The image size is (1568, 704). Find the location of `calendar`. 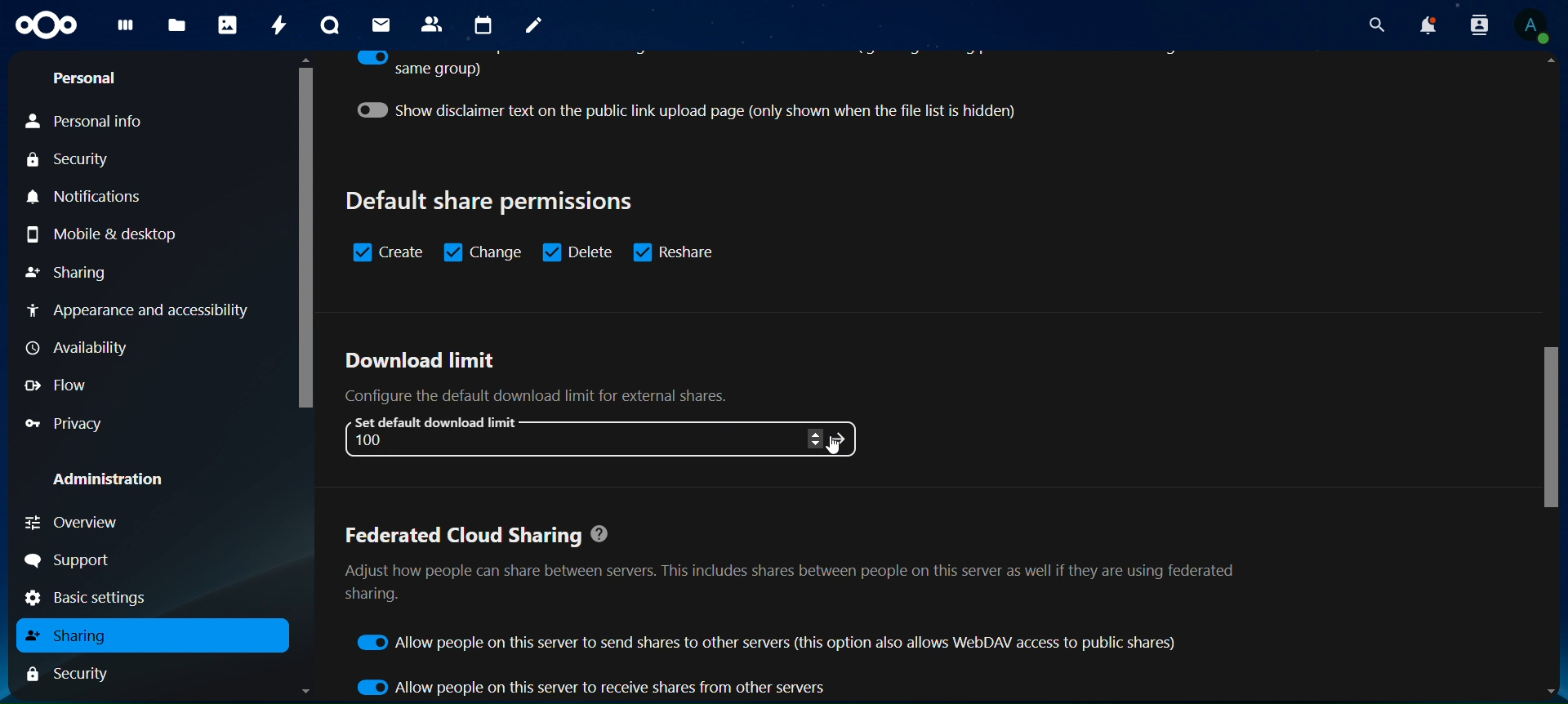

calendar is located at coordinates (483, 25).